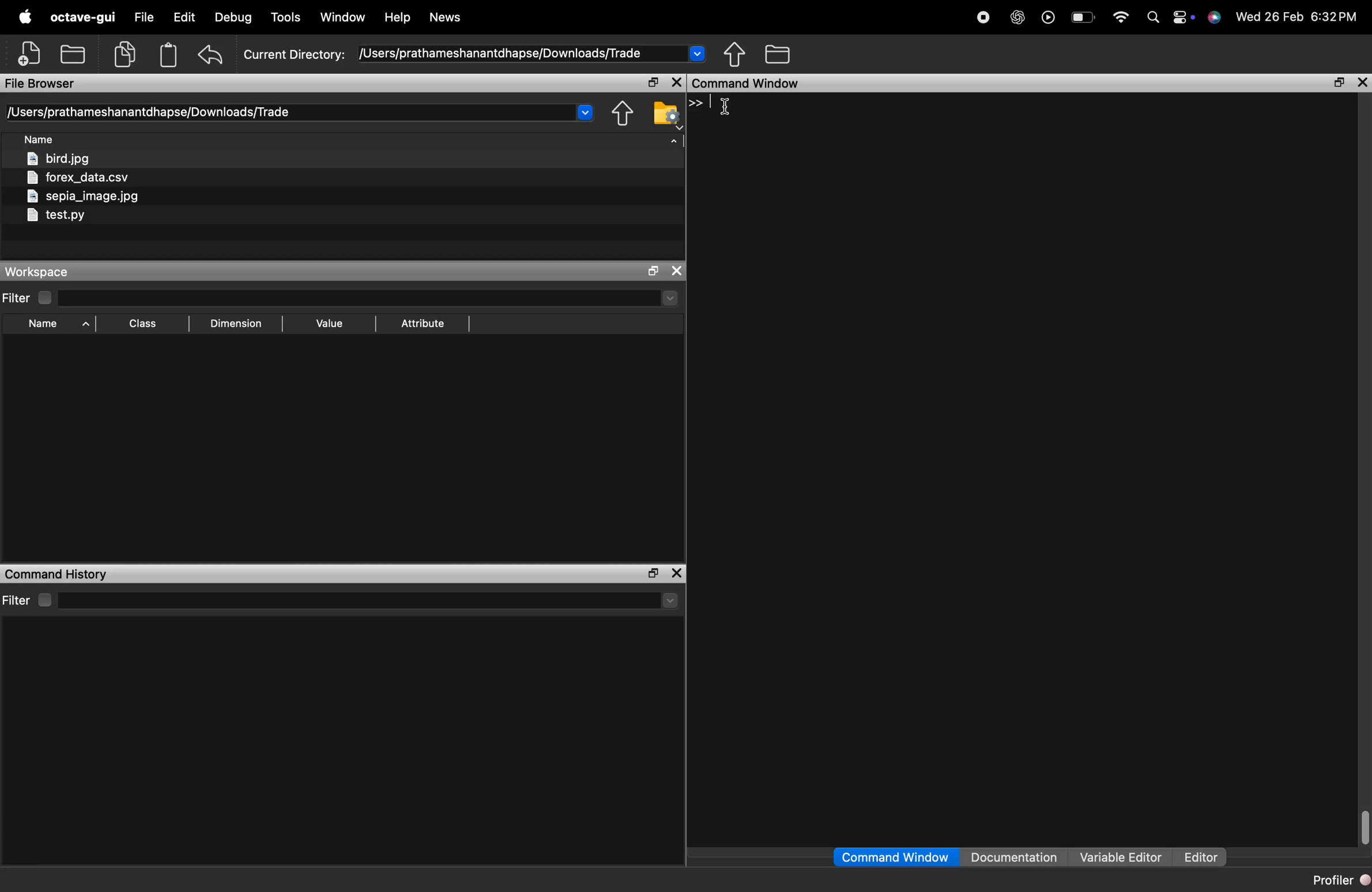 This screenshot has height=892, width=1372. What do you see at coordinates (234, 18) in the screenshot?
I see `debug` at bounding box center [234, 18].